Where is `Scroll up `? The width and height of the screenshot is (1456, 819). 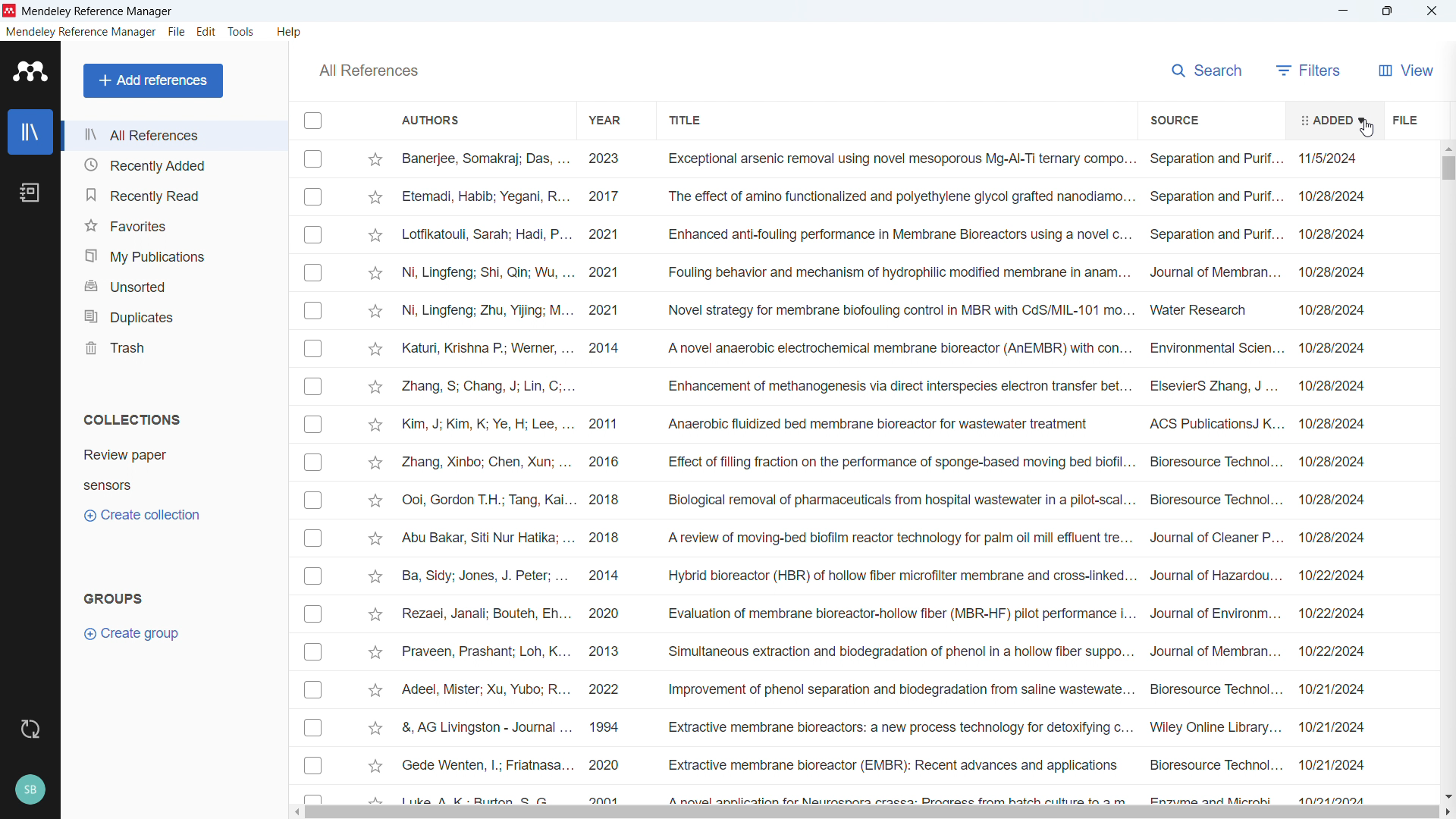
Scroll up  is located at coordinates (1447, 149).